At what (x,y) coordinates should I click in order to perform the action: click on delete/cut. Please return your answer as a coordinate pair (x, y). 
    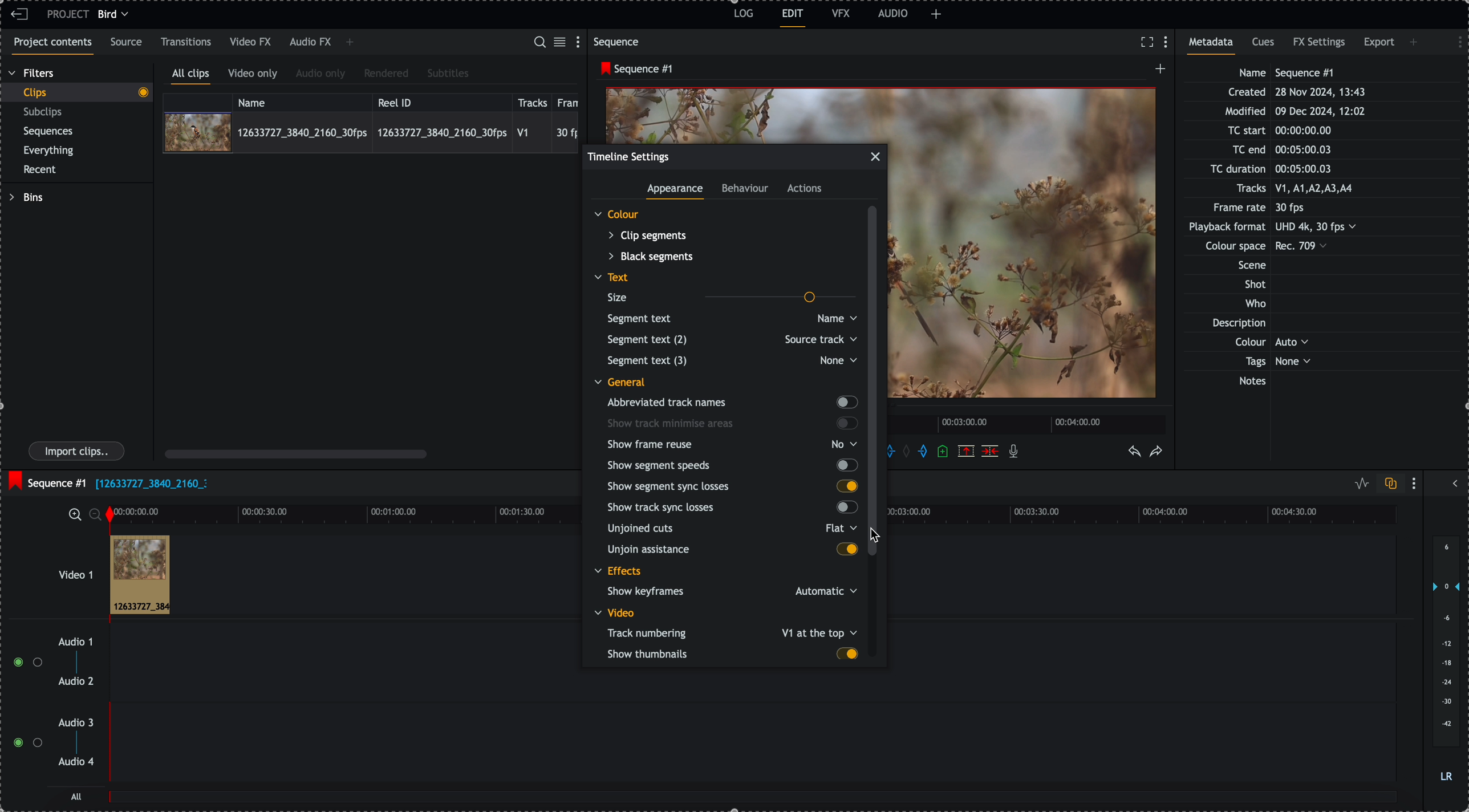
    Looking at the image, I should click on (990, 451).